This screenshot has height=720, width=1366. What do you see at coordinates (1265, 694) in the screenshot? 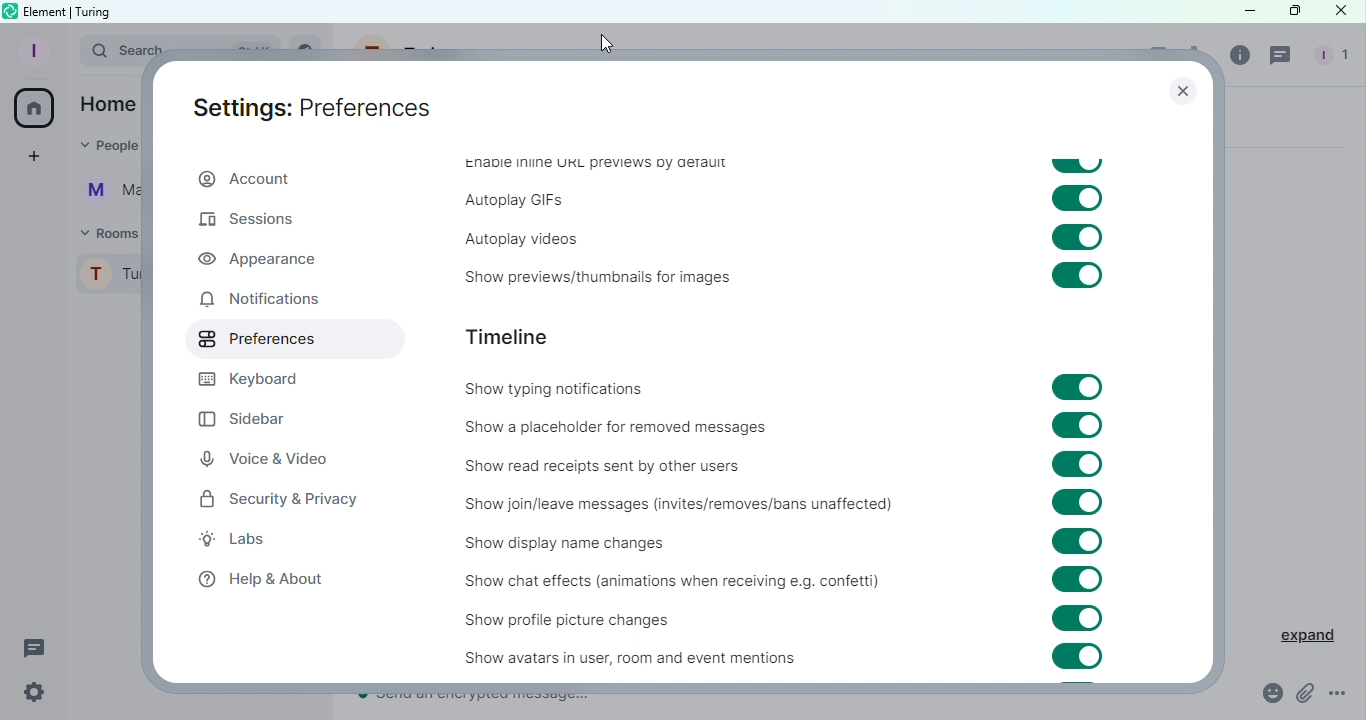
I see `Emoji` at bounding box center [1265, 694].